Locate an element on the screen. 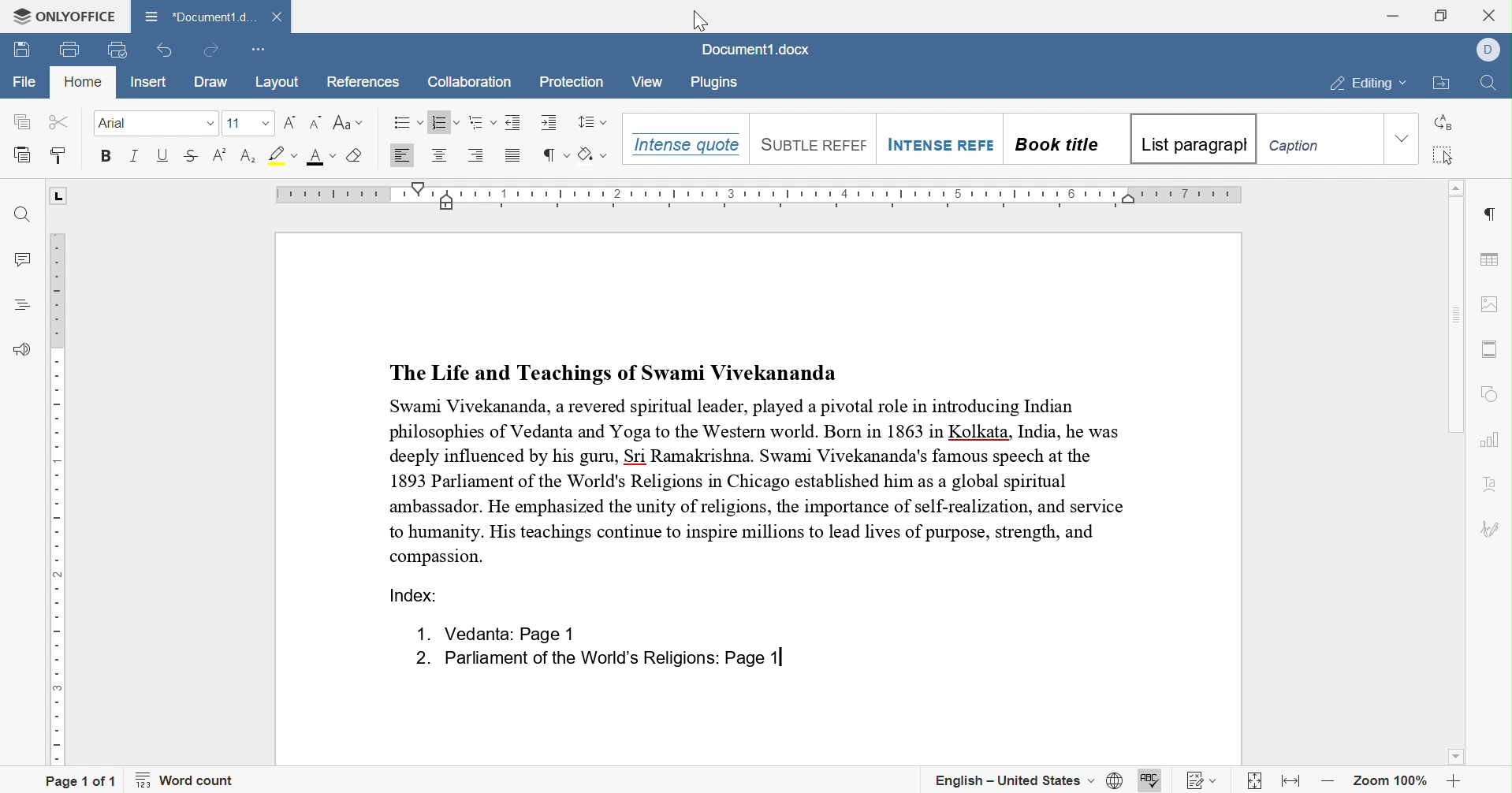 The width and height of the screenshot is (1512, 793). layout is located at coordinates (280, 83).